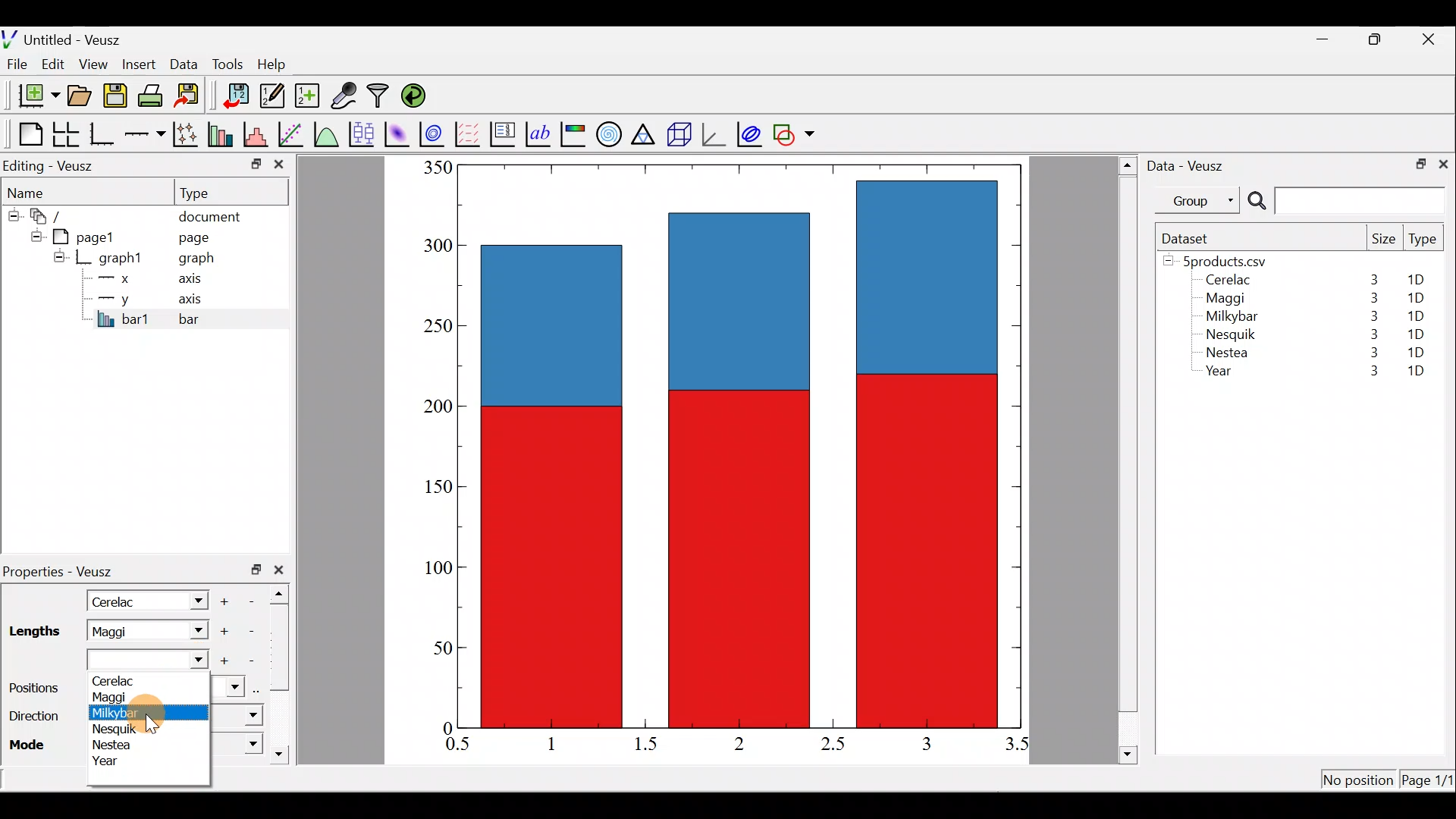 The height and width of the screenshot is (819, 1456). Describe the element at coordinates (833, 744) in the screenshot. I see `2.5` at that location.